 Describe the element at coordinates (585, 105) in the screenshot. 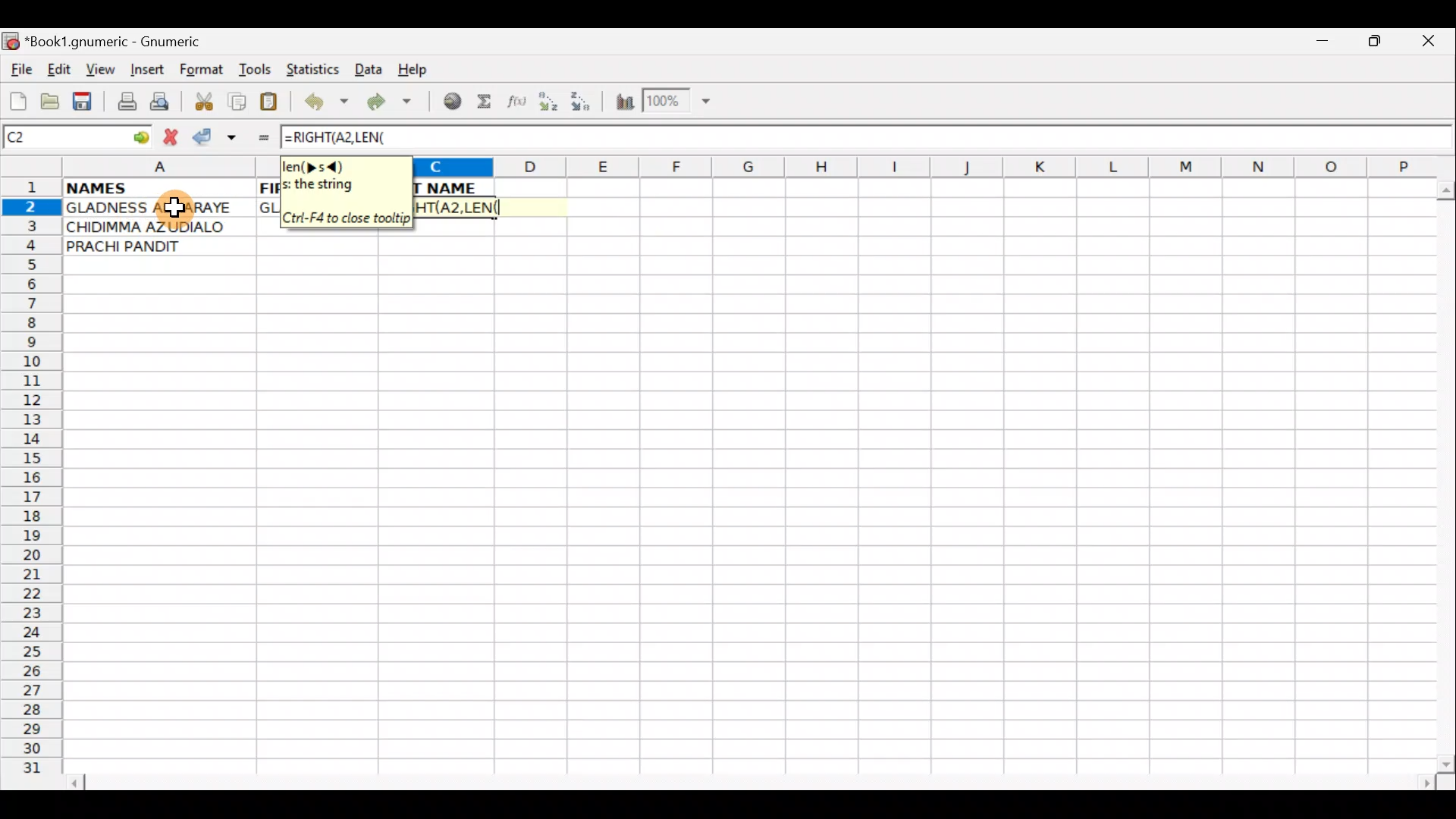

I see `Sort Descending order` at that location.